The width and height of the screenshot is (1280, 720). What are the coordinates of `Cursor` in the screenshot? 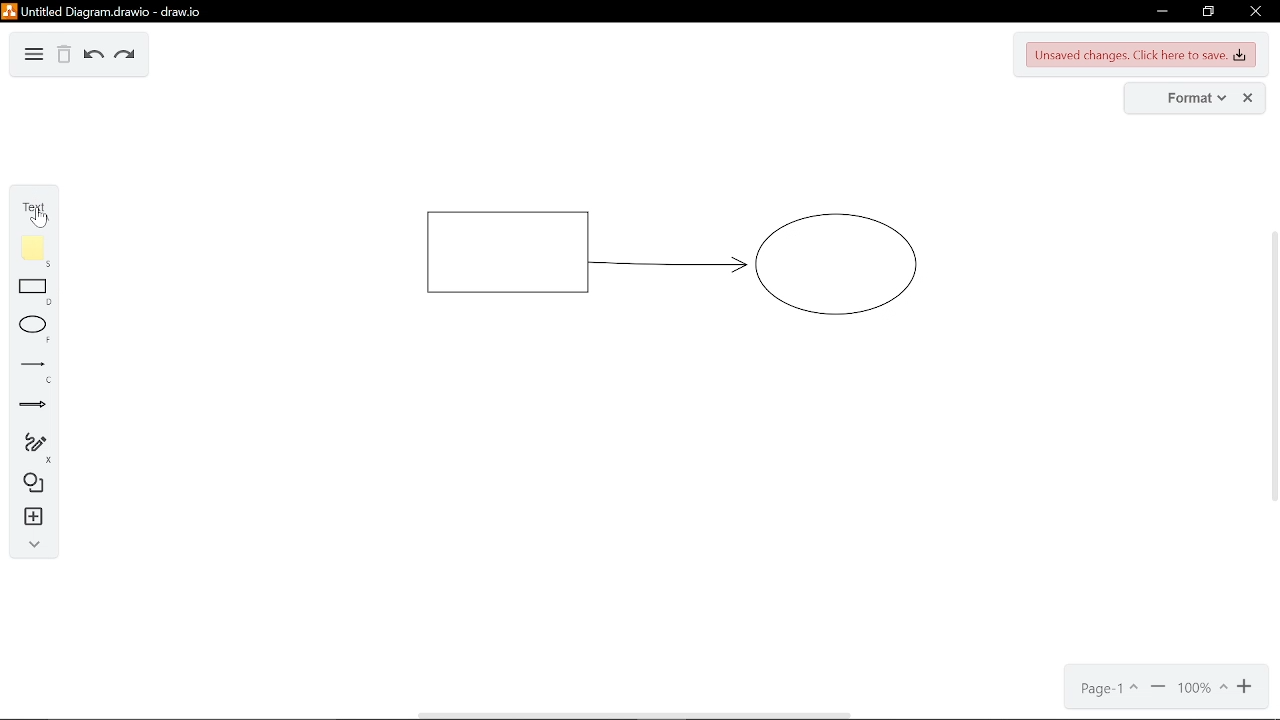 It's located at (42, 220).